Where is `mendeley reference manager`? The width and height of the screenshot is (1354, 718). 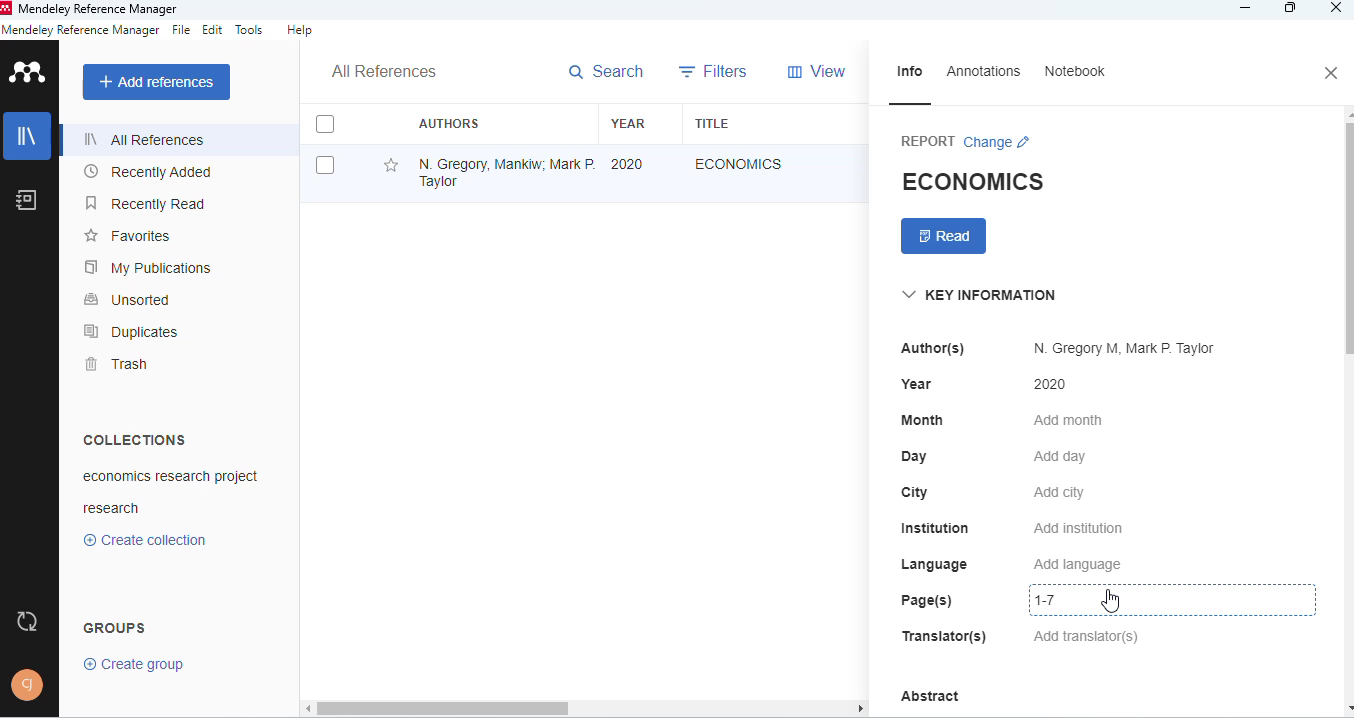
mendeley reference manager is located at coordinates (101, 9).